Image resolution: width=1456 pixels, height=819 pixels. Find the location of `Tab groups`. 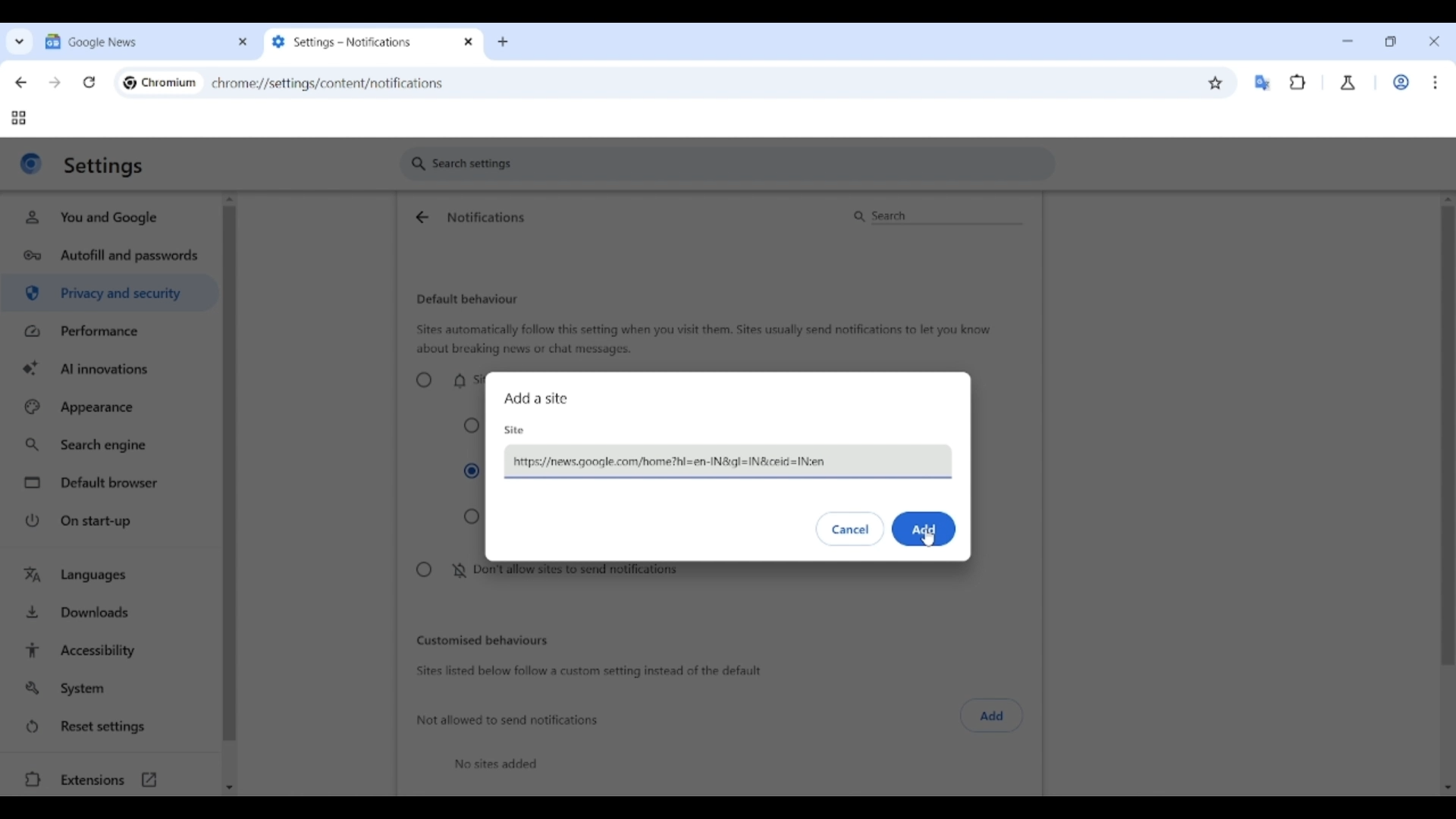

Tab groups is located at coordinates (18, 118).